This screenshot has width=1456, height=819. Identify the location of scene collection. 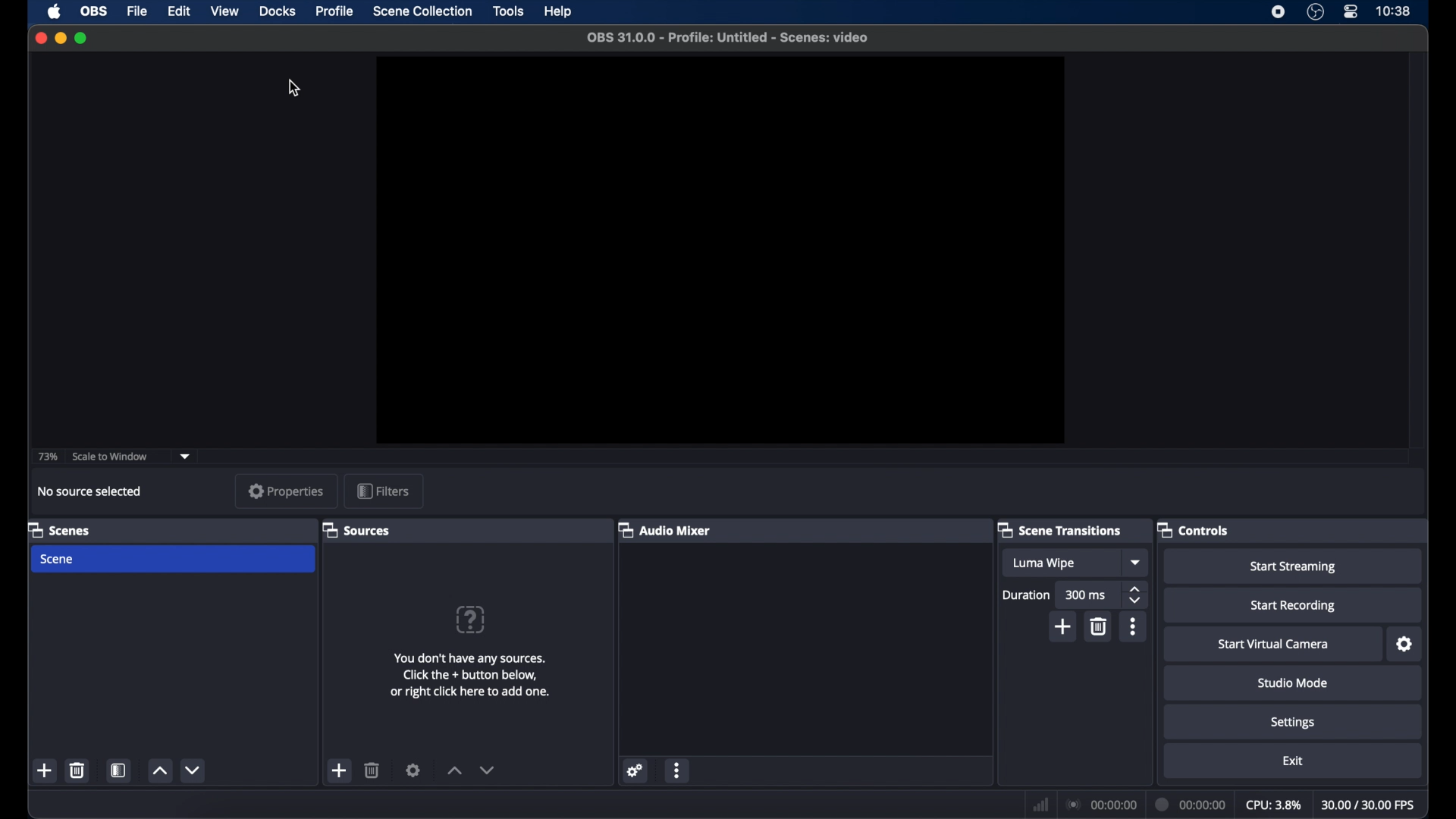
(424, 11).